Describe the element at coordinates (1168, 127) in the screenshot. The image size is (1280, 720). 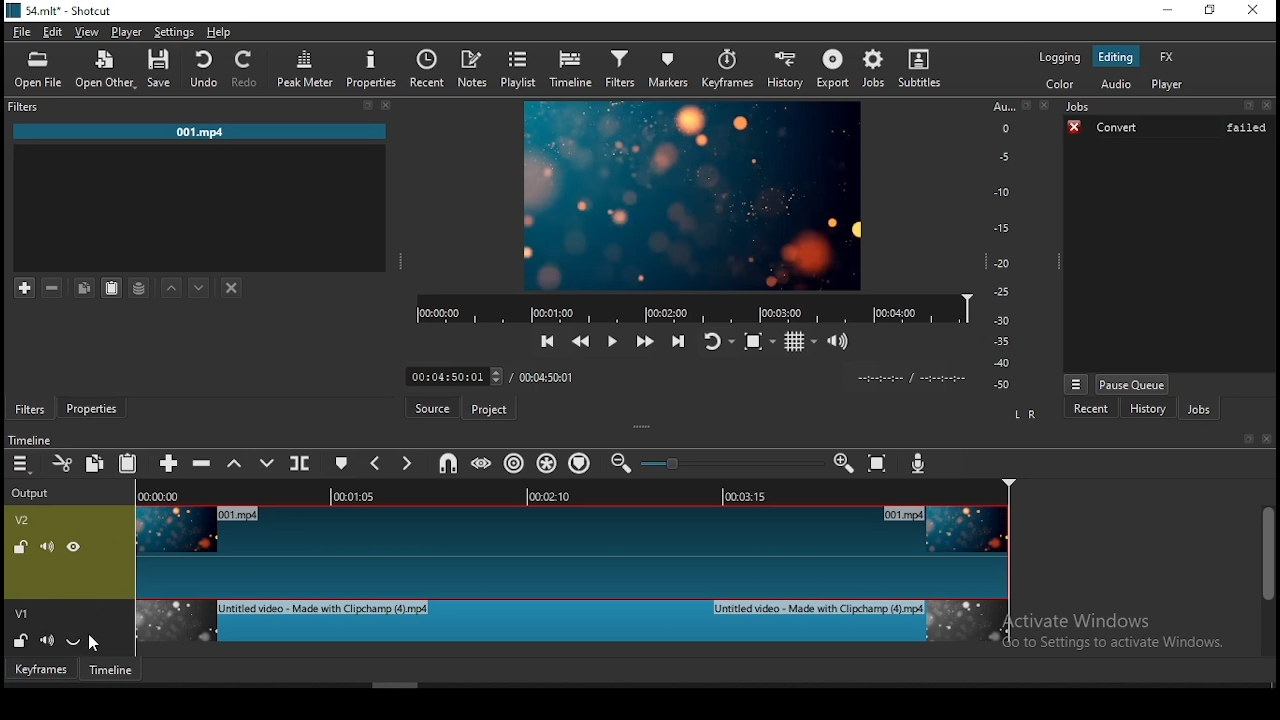
I see `convert failed` at that location.